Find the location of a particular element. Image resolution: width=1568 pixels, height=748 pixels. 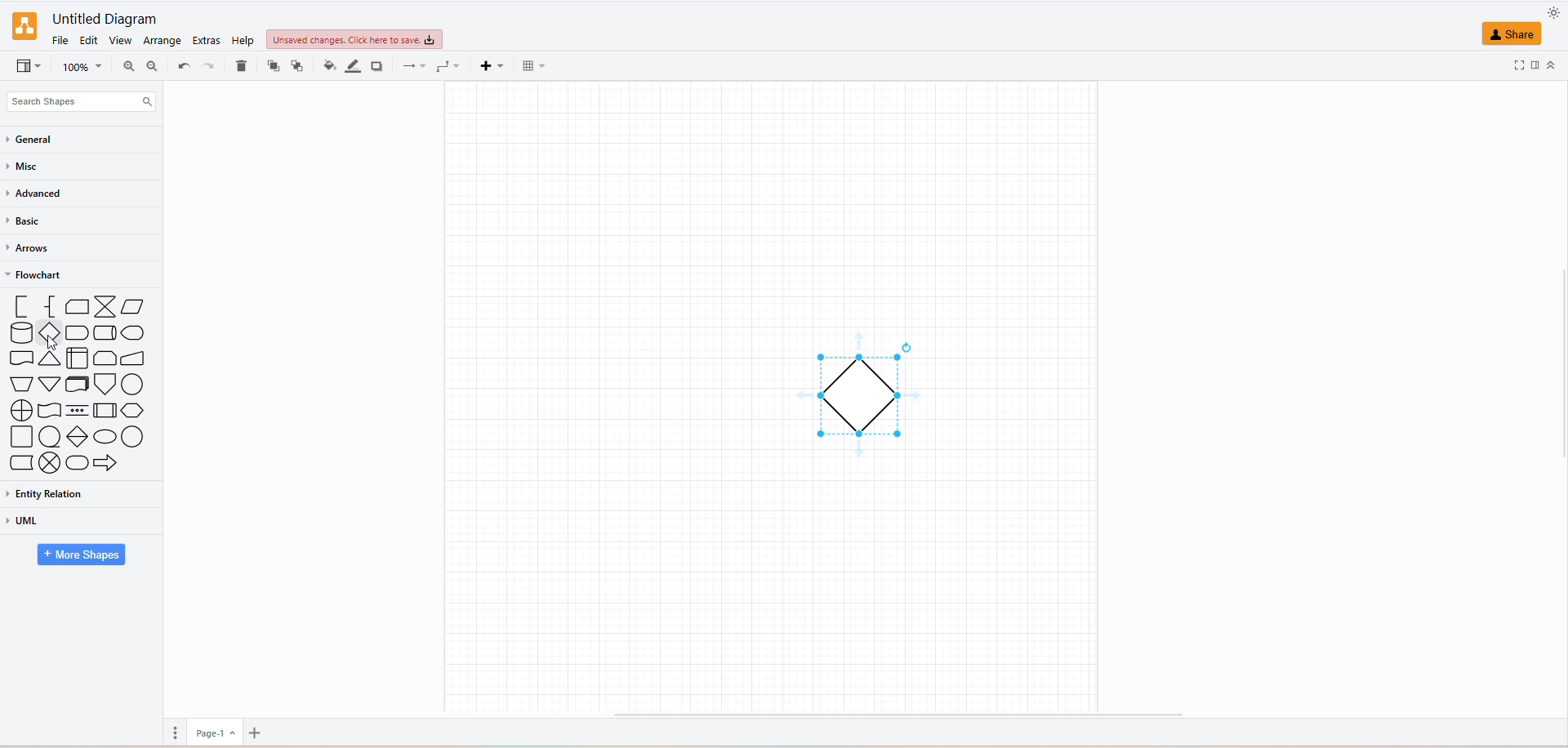

ZOOM is located at coordinates (82, 67).